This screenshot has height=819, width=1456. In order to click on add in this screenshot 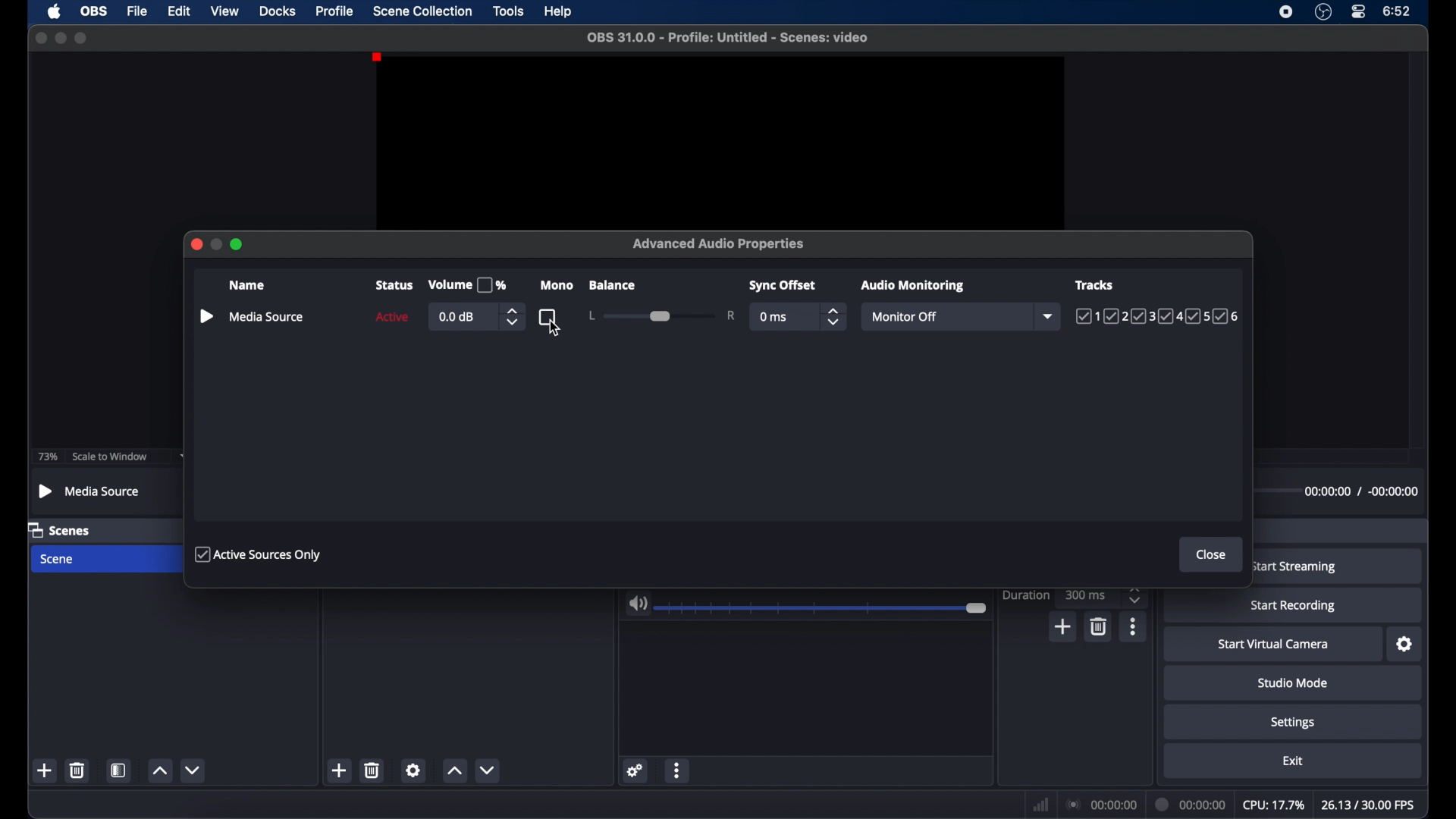, I will do `click(44, 770)`.